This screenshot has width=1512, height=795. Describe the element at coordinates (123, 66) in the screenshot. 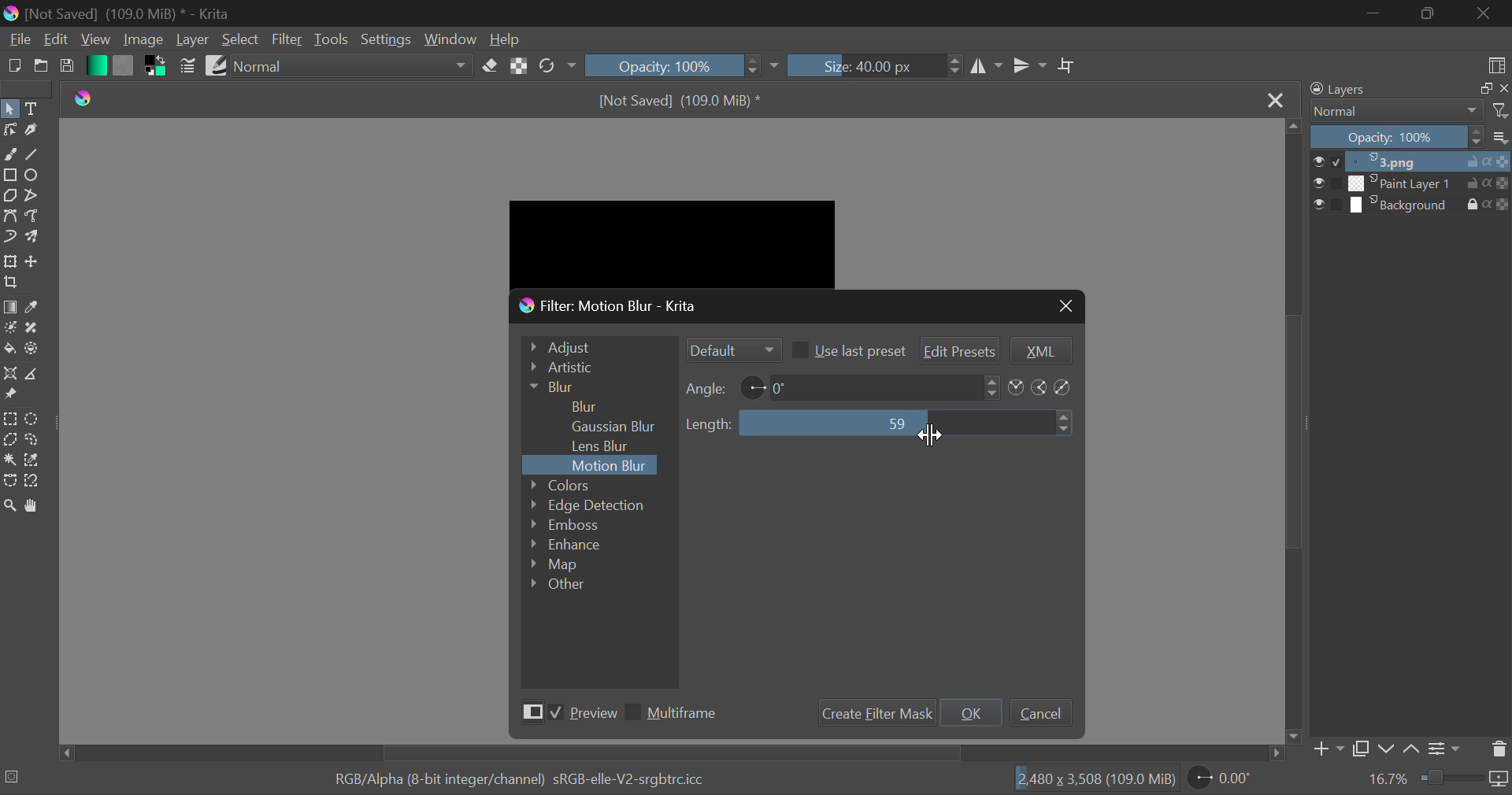

I see `Pattern` at that location.